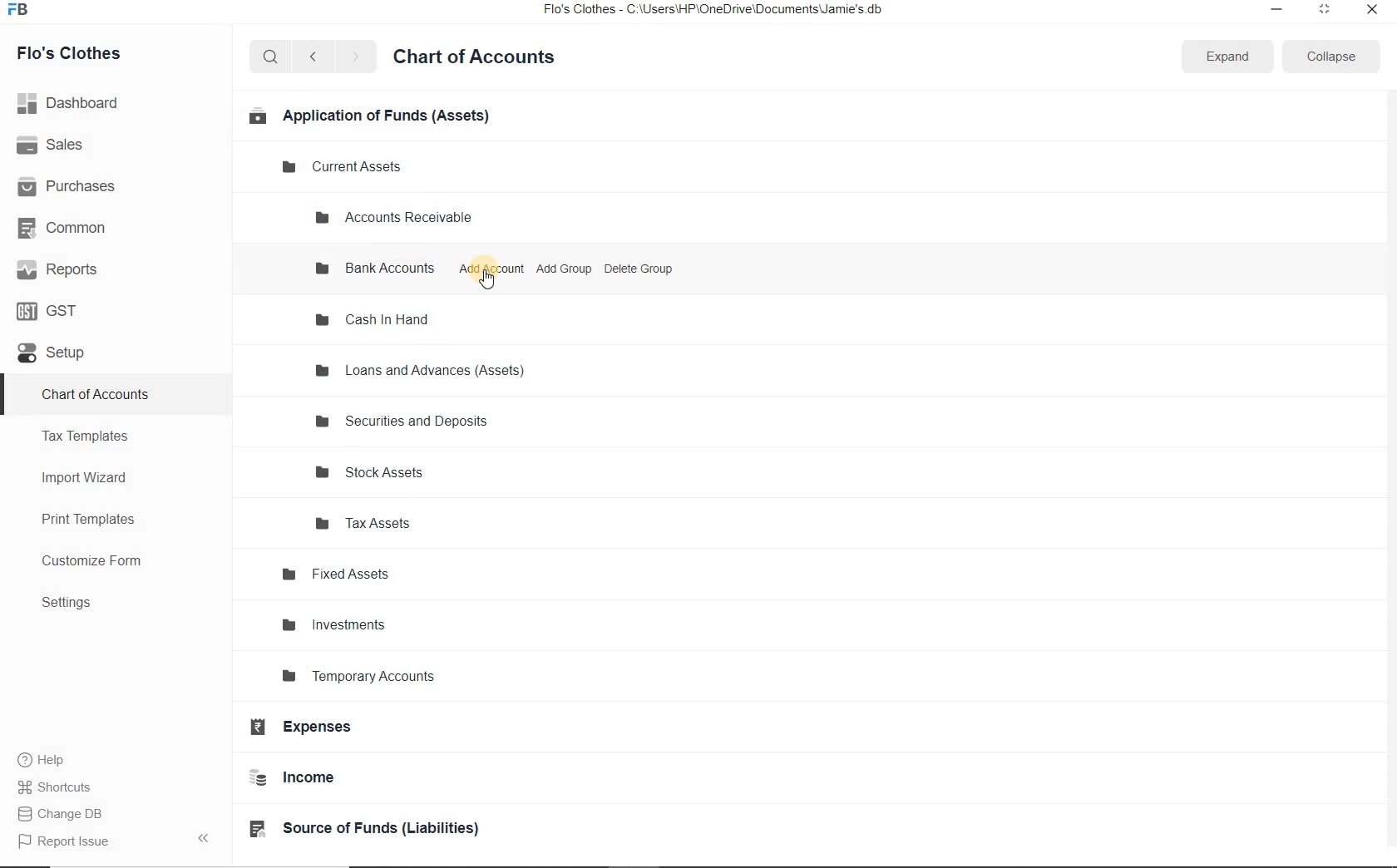 The height and width of the screenshot is (868, 1397). What do you see at coordinates (1371, 8) in the screenshot?
I see `close` at bounding box center [1371, 8].